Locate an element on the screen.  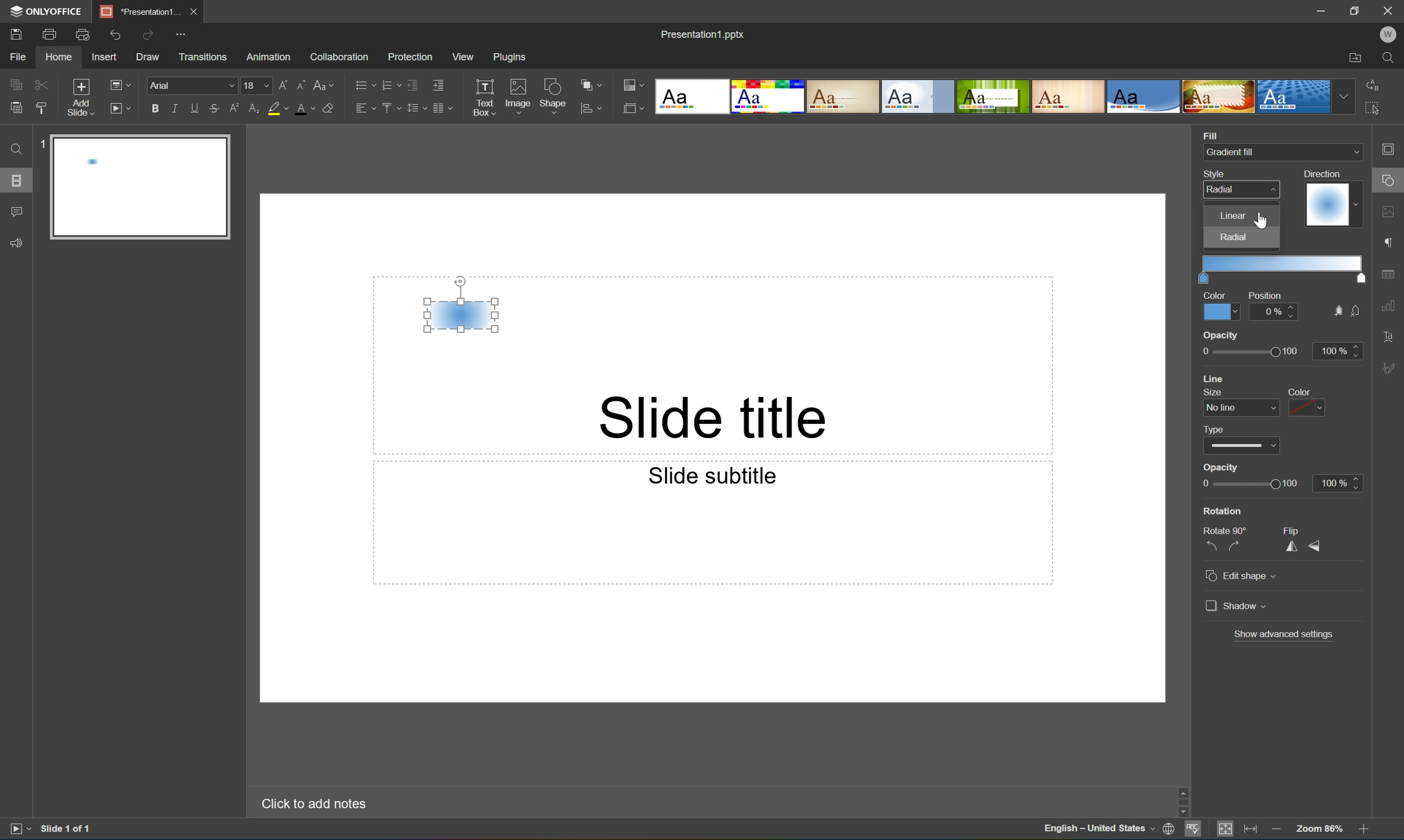
Decrease indent is located at coordinates (412, 84).